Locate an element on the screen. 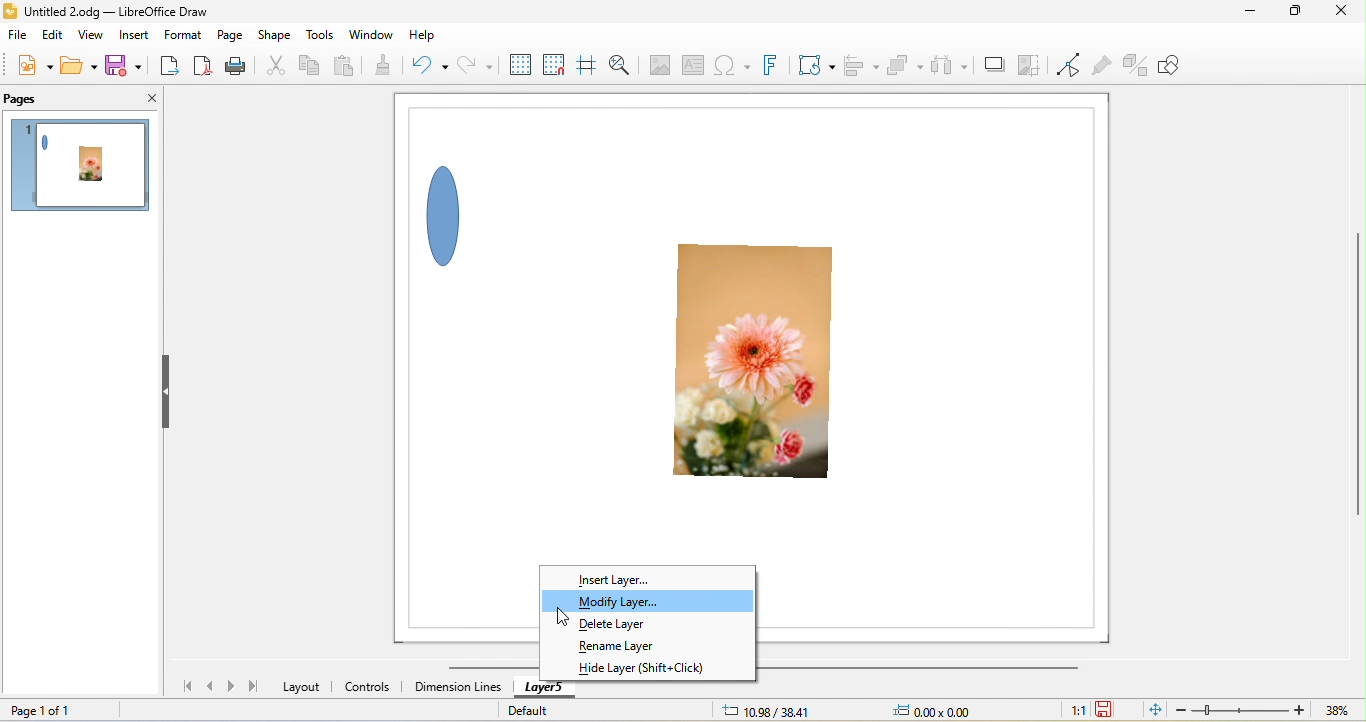  zoom and pan is located at coordinates (619, 65).